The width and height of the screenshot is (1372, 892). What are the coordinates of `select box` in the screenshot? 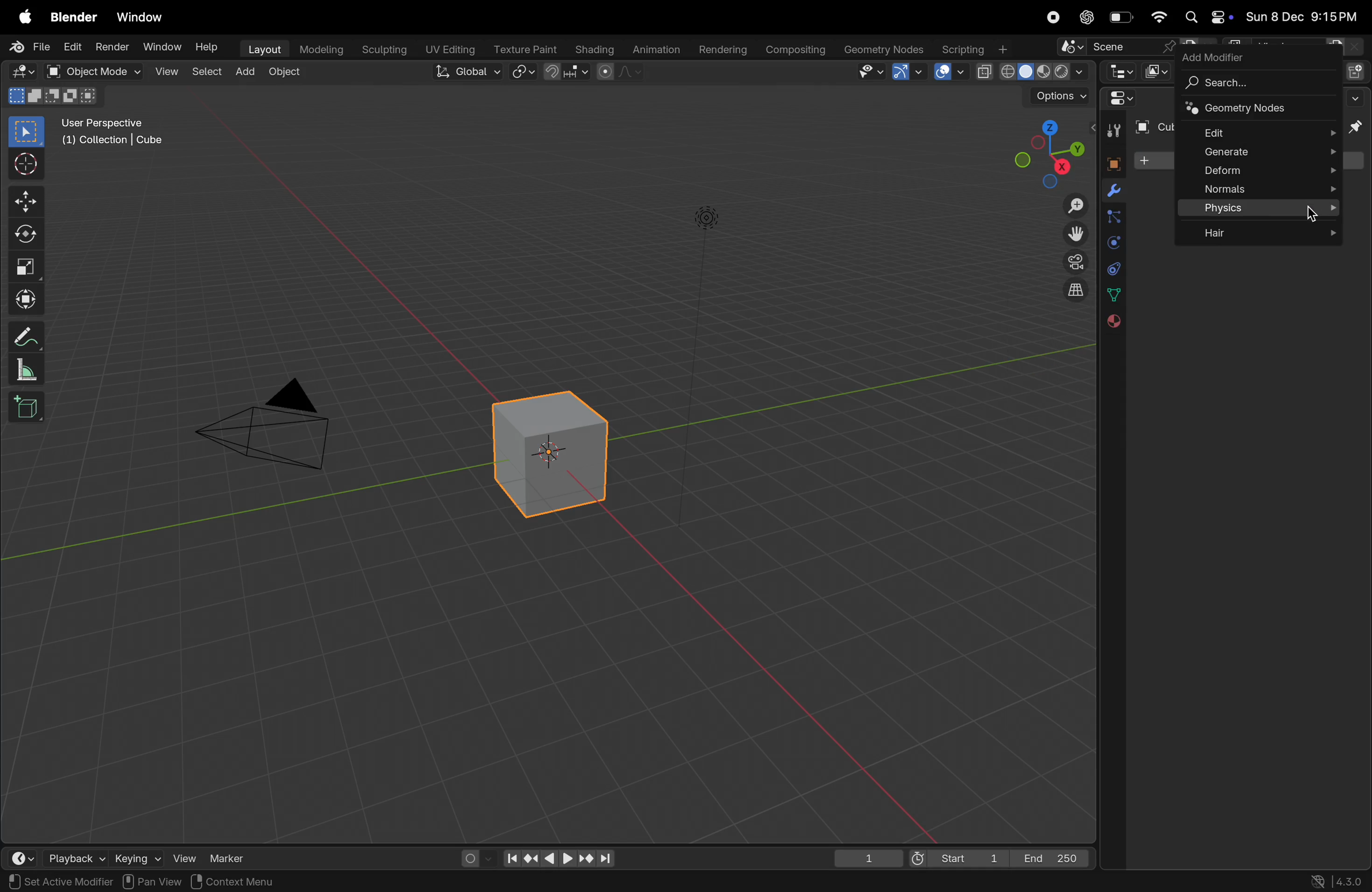 It's located at (27, 131).